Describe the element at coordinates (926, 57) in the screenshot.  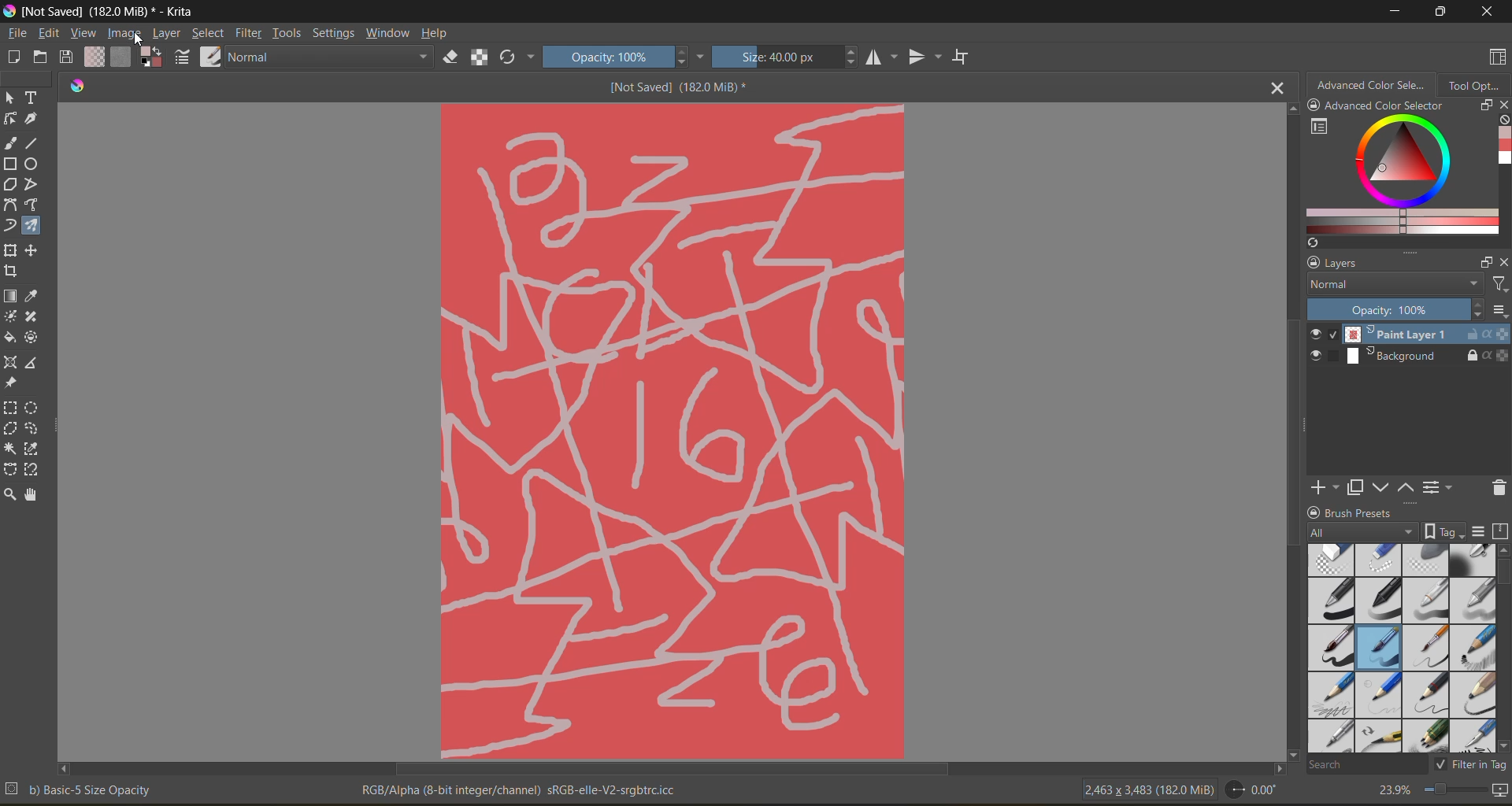
I see `flip vertically` at that location.